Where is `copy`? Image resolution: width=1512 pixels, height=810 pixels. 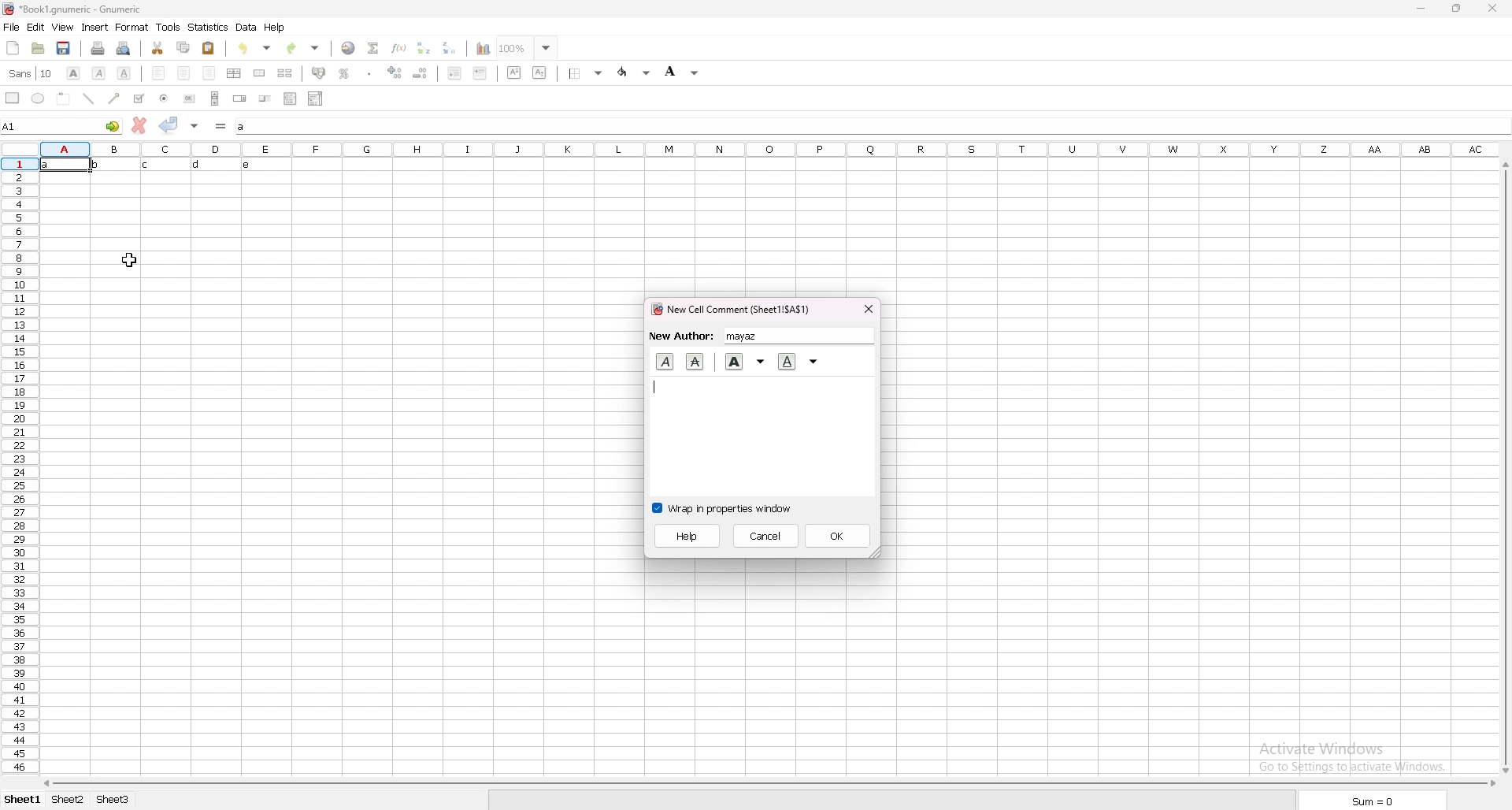
copy is located at coordinates (184, 46).